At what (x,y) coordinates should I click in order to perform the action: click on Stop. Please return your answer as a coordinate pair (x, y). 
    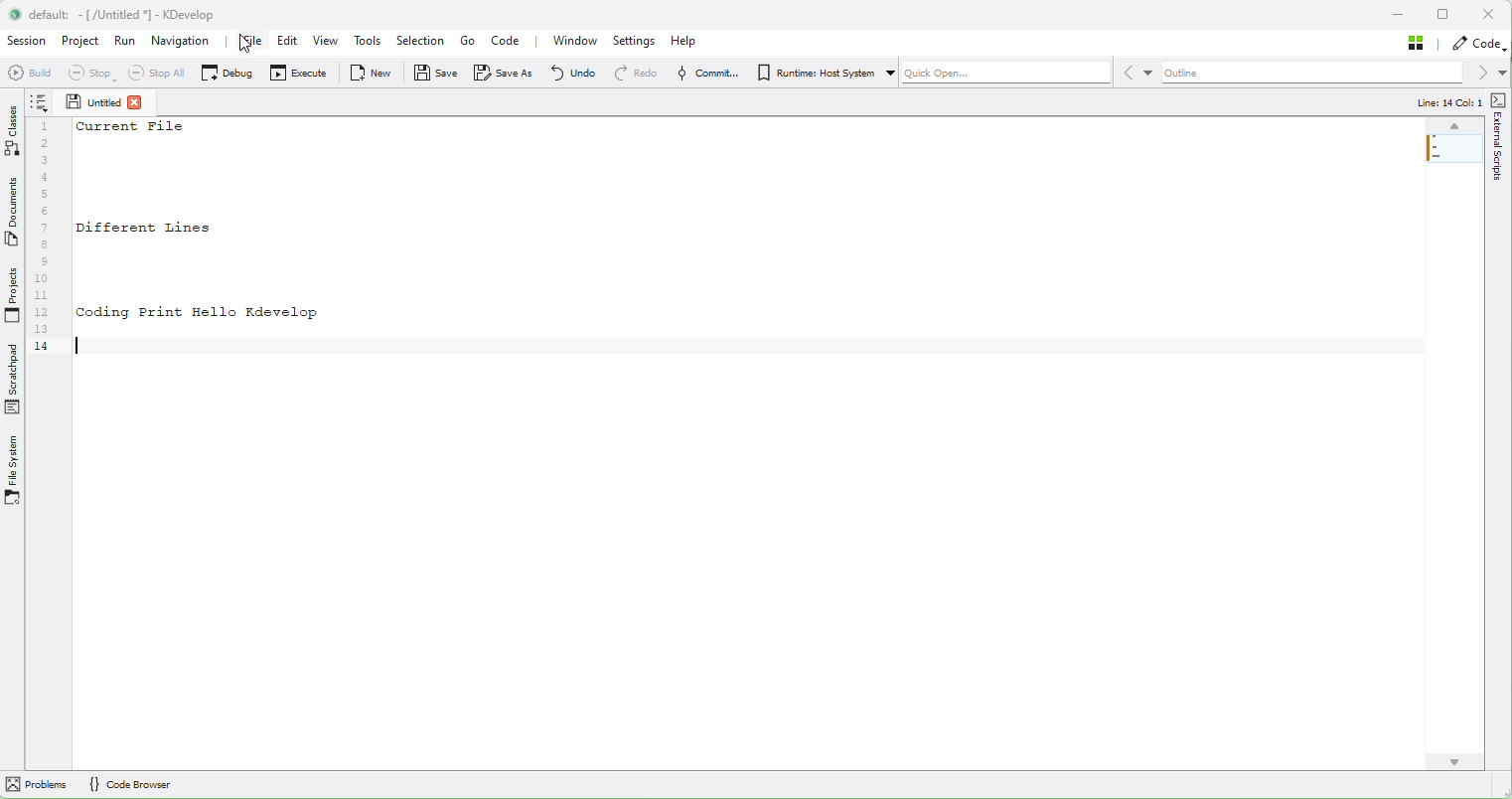
    Looking at the image, I should click on (83, 74).